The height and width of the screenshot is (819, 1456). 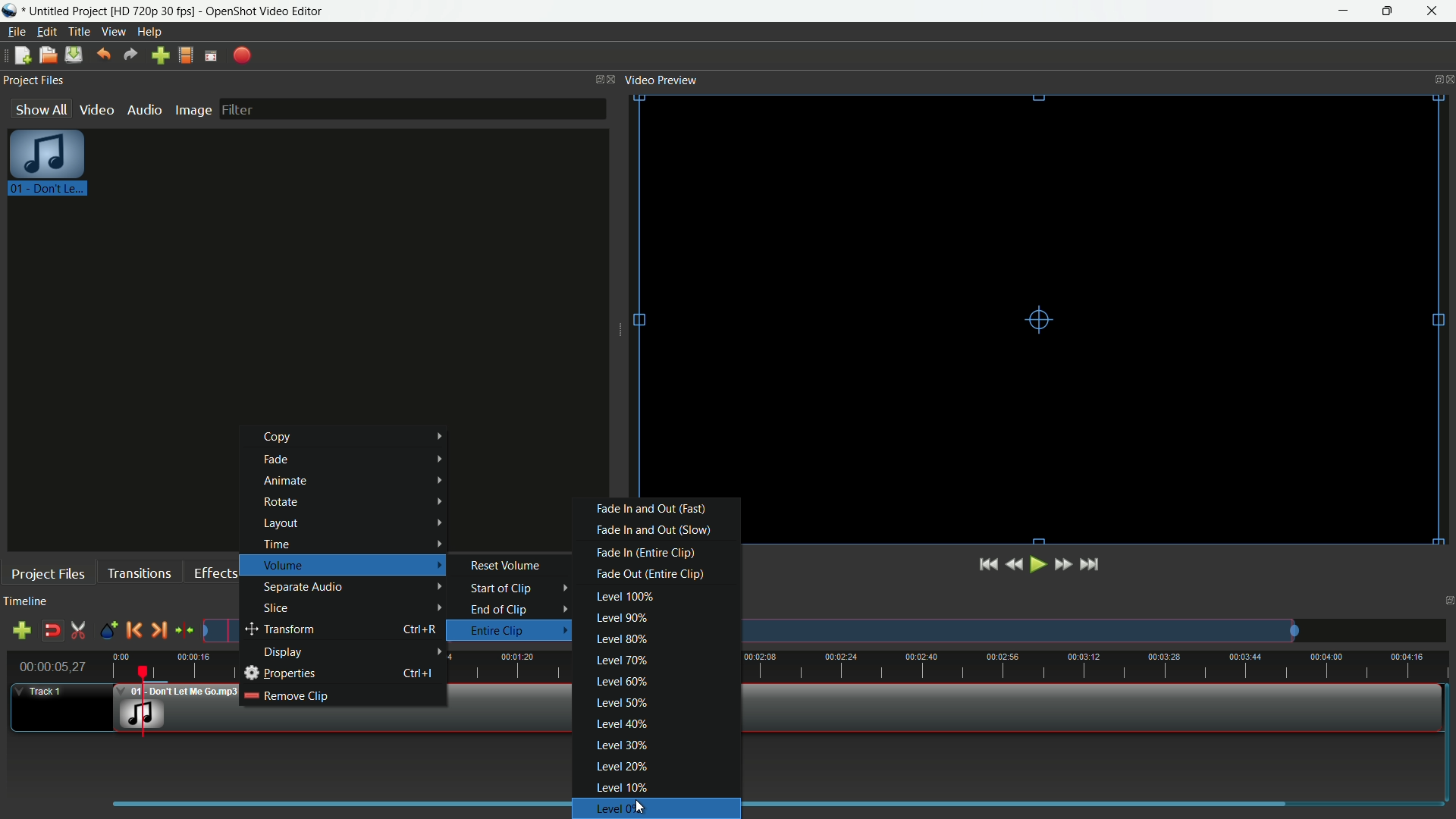 I want to click on project file, so click(x=49, y=166).